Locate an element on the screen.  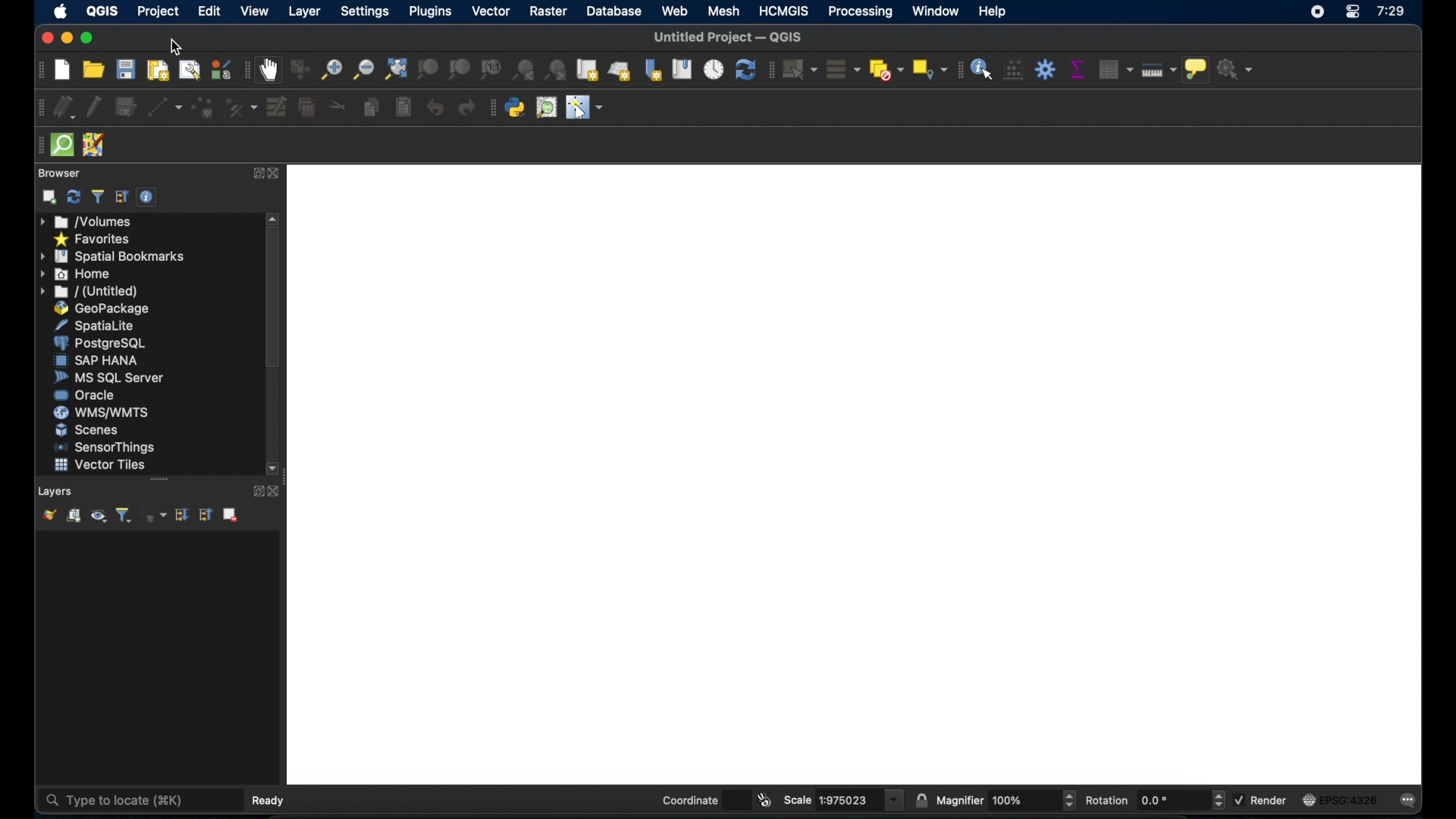
digitize with segment is located at coordinates (163, 108).